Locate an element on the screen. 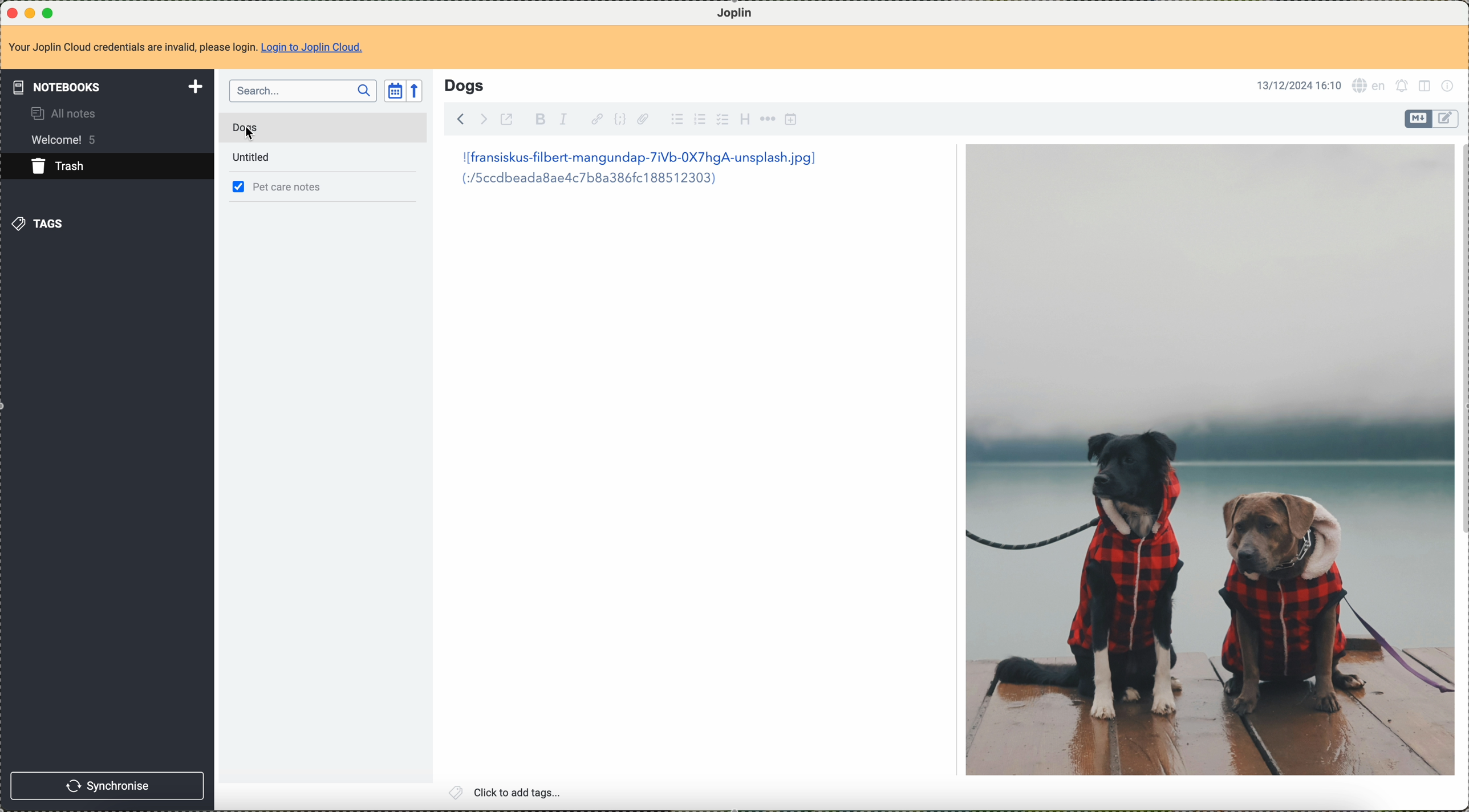  bulleted list is located at coordinates (676, 120).